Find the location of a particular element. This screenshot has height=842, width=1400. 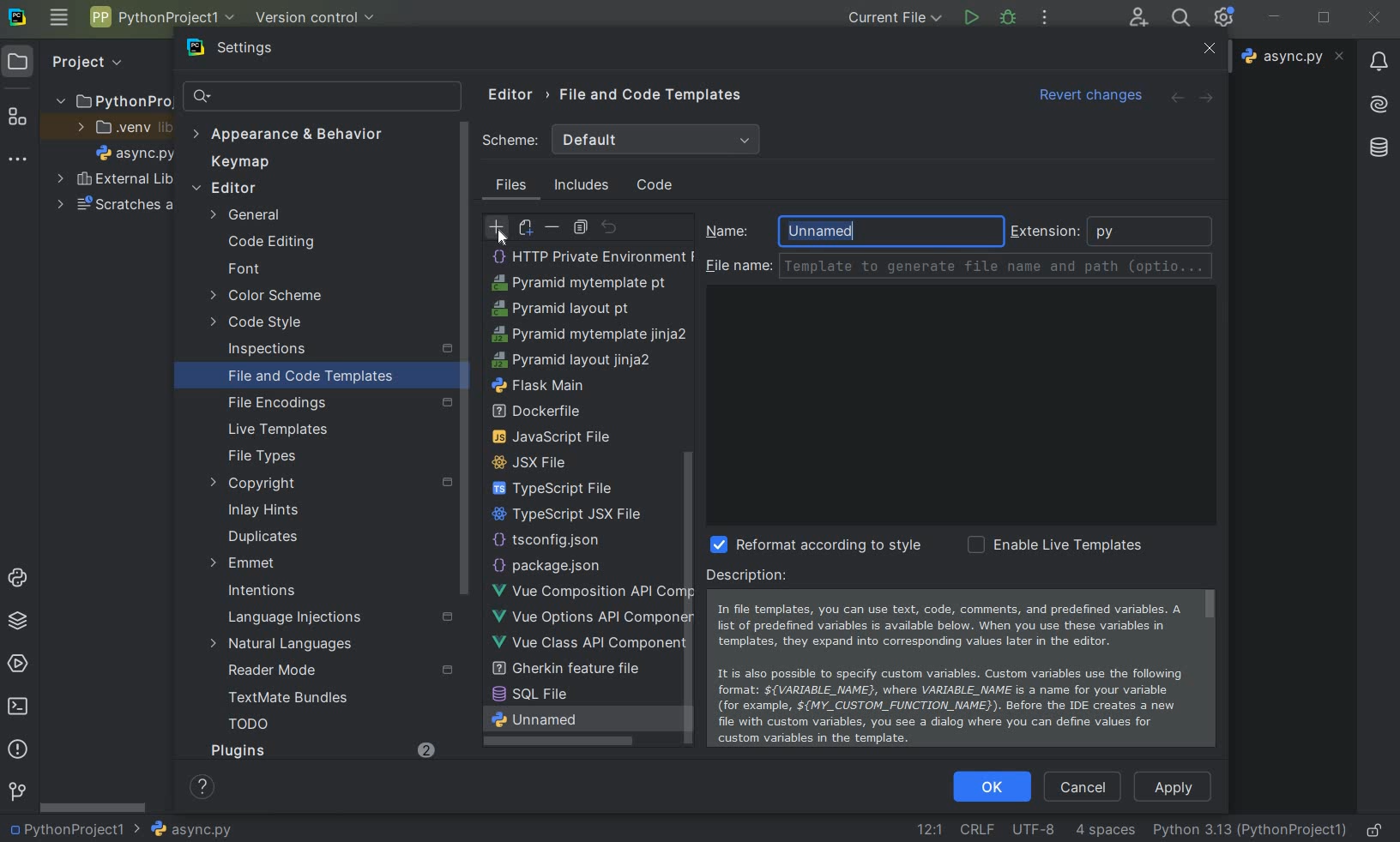

PostCSS file is located at coordinates (576, 333).